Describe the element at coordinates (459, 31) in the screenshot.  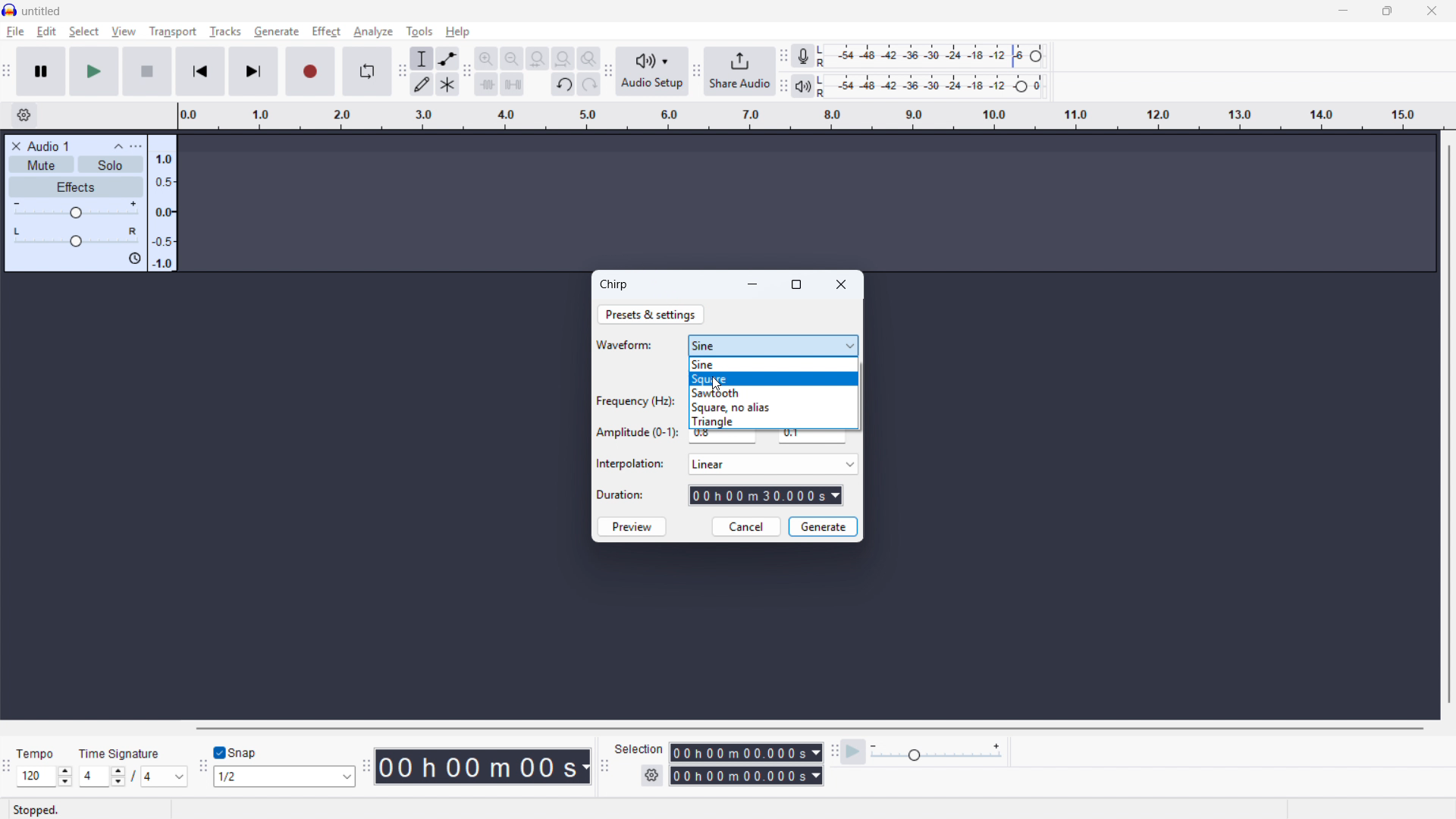
I see `help ` at that location.